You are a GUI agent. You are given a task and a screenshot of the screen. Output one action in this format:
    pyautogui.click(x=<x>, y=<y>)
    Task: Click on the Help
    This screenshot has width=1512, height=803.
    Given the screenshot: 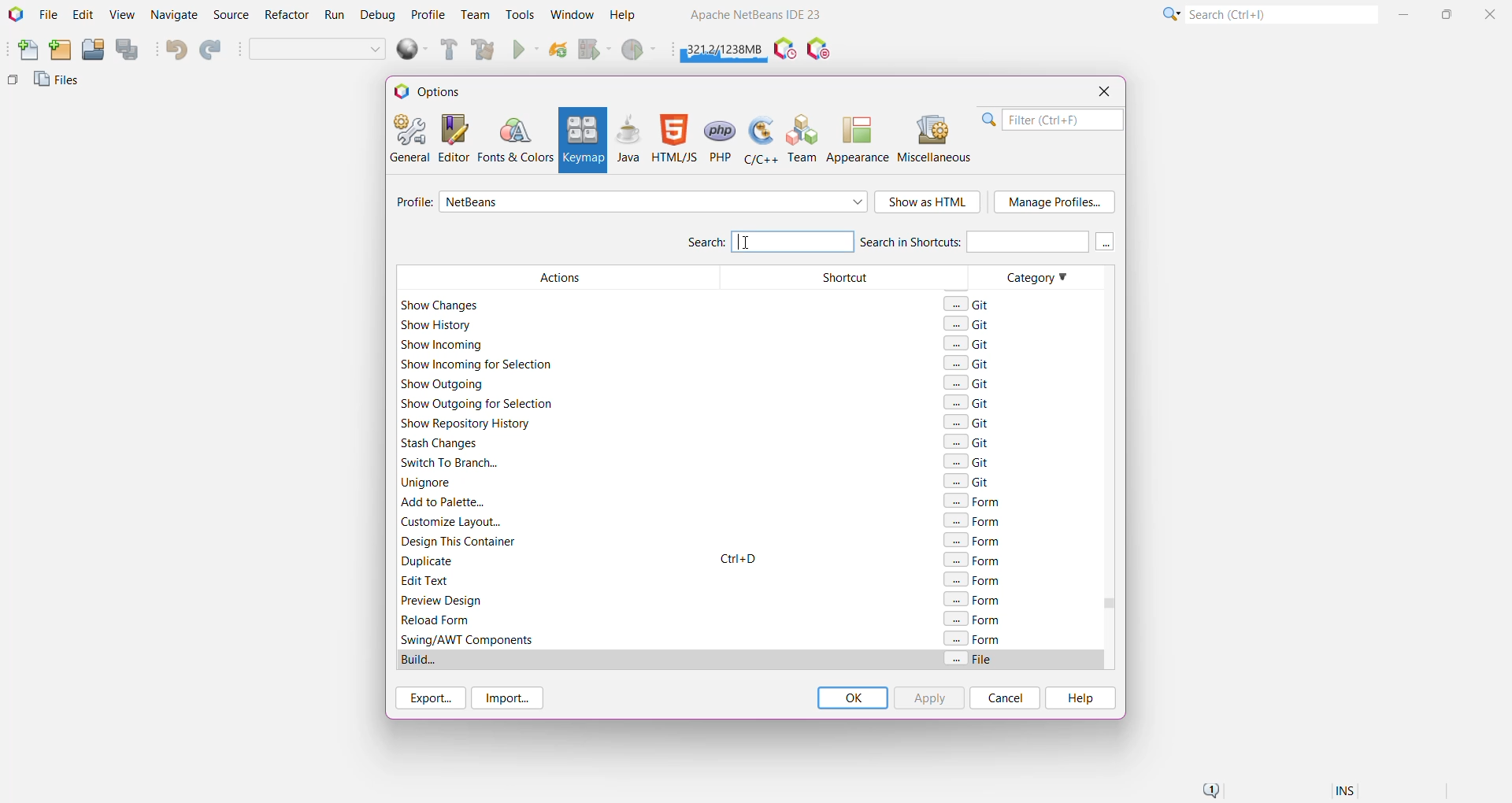 What is the action you would take?
    pyautogui.click(x=630, y=17)
    